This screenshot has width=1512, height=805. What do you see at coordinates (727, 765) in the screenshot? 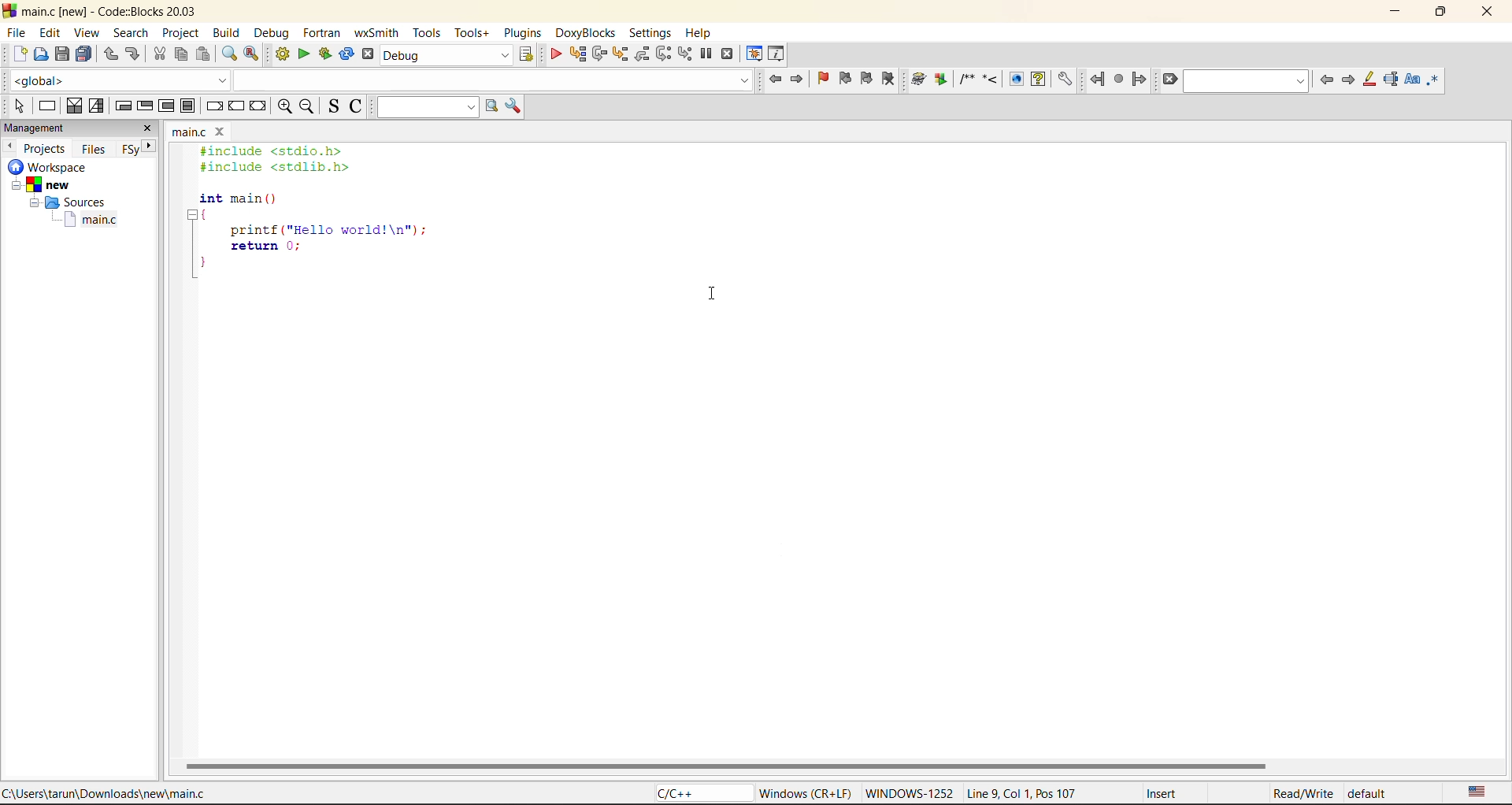
I see `horizontal scroll bar` at bounding box center [727, 765].